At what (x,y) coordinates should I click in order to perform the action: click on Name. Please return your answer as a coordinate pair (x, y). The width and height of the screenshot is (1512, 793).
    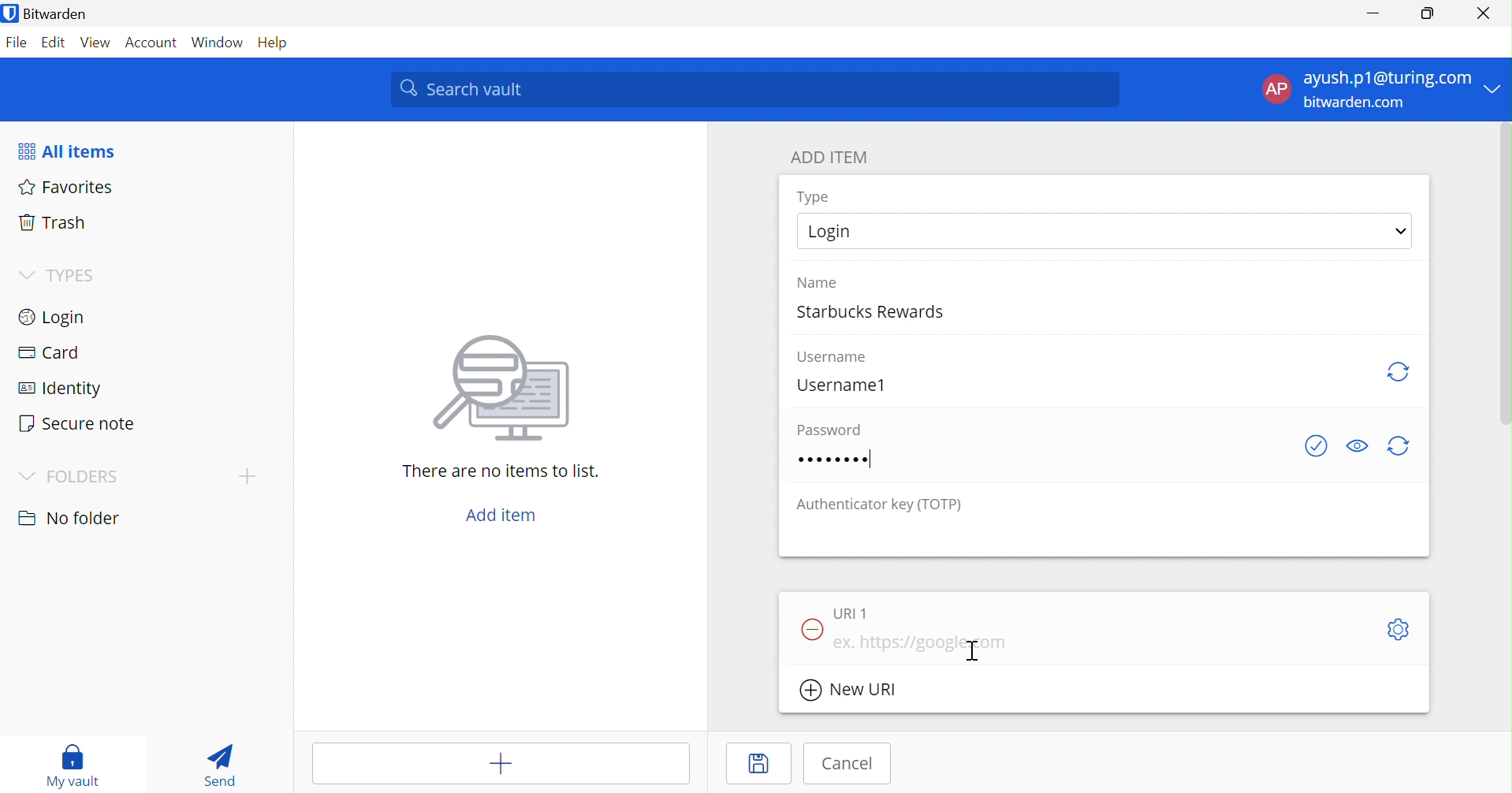
    Looking at the image, I should click on (817, 281).